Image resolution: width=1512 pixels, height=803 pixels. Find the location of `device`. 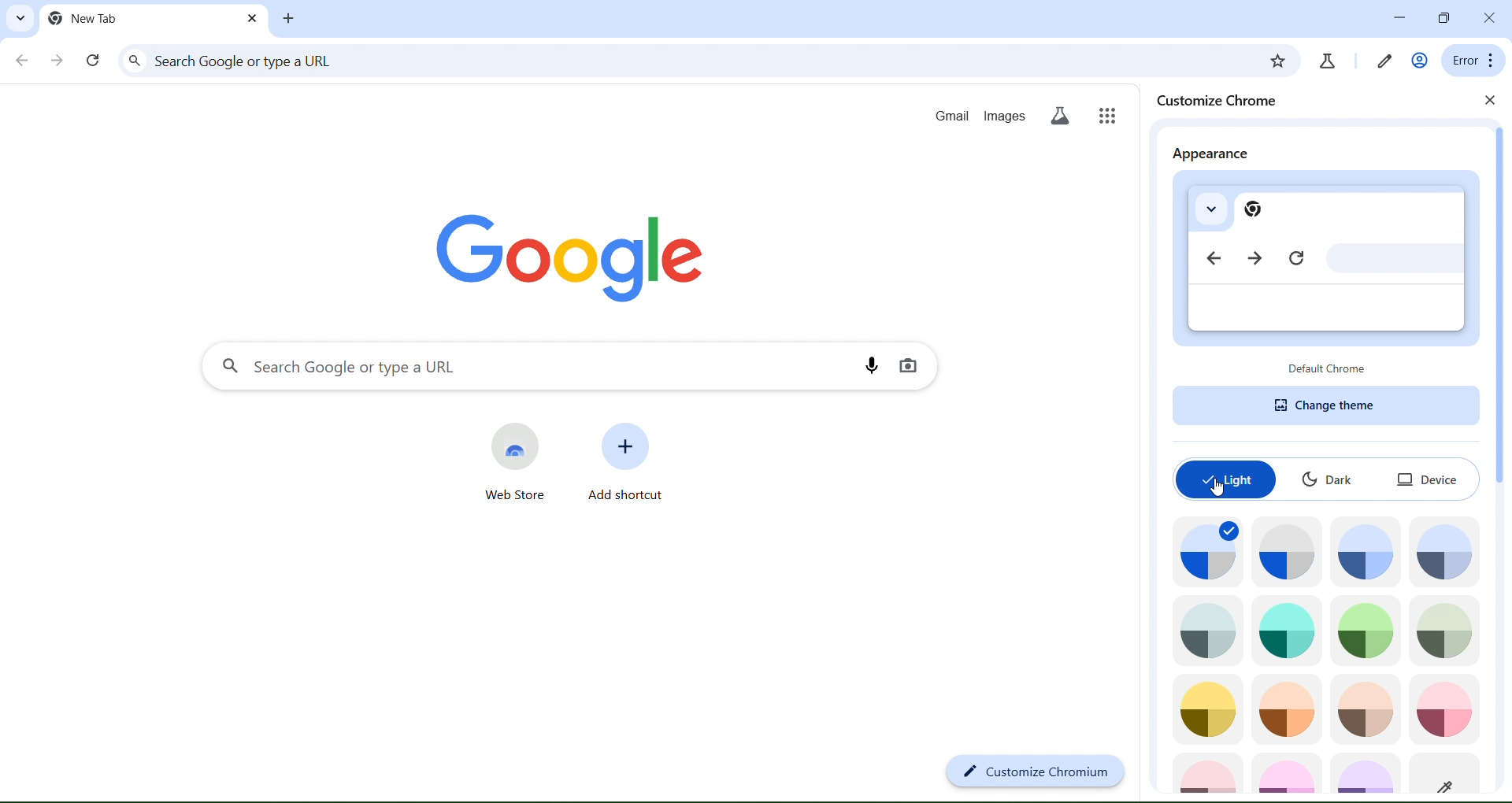

device is located at coordinates (1426, 478).